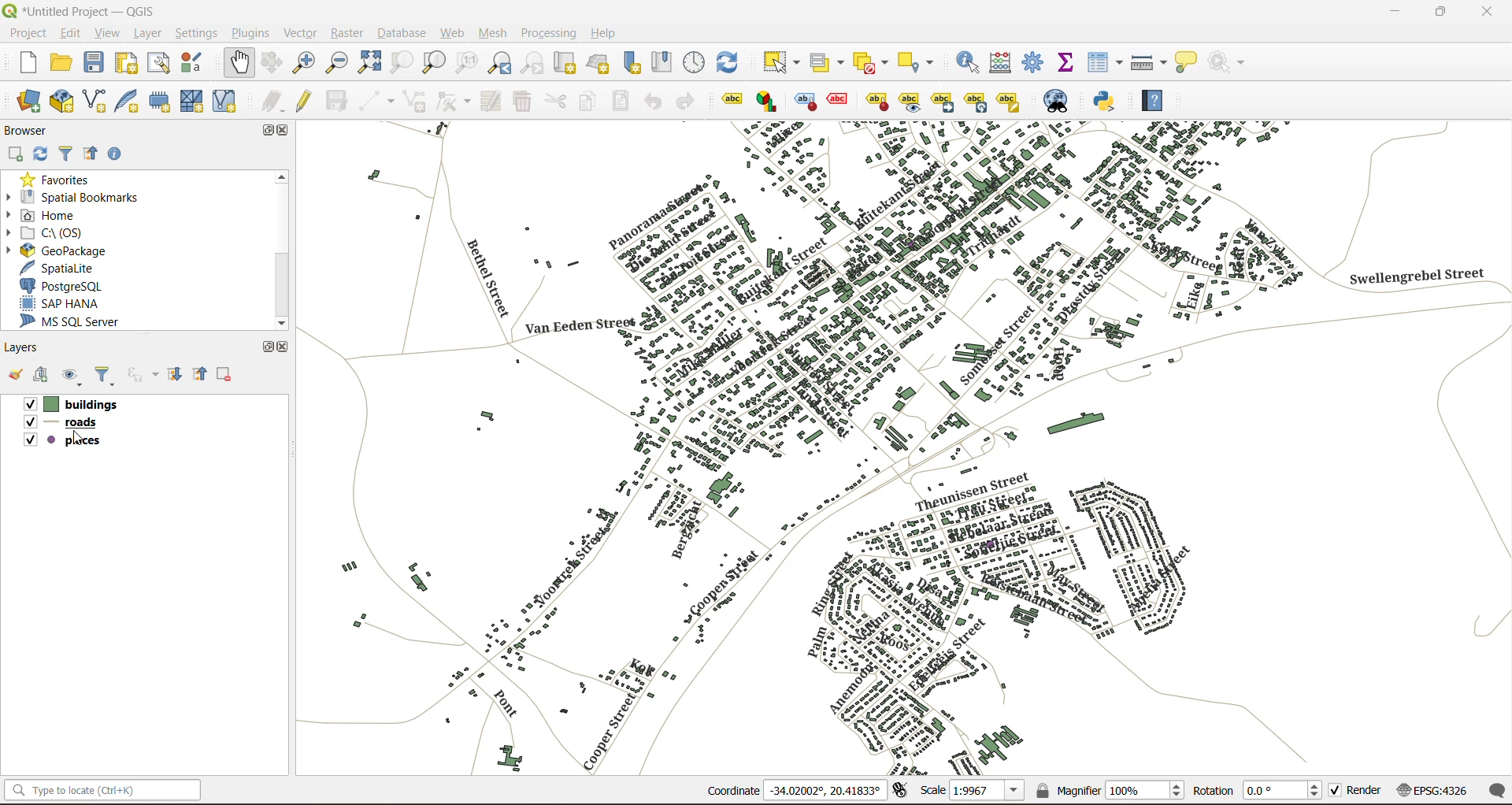 Image resolution: width=1512 pixels, height=805 pixels. What do you see at coordinates (1008, 102) in the screenshot?
I see `change label properties` at bounding box center [1008, 102].